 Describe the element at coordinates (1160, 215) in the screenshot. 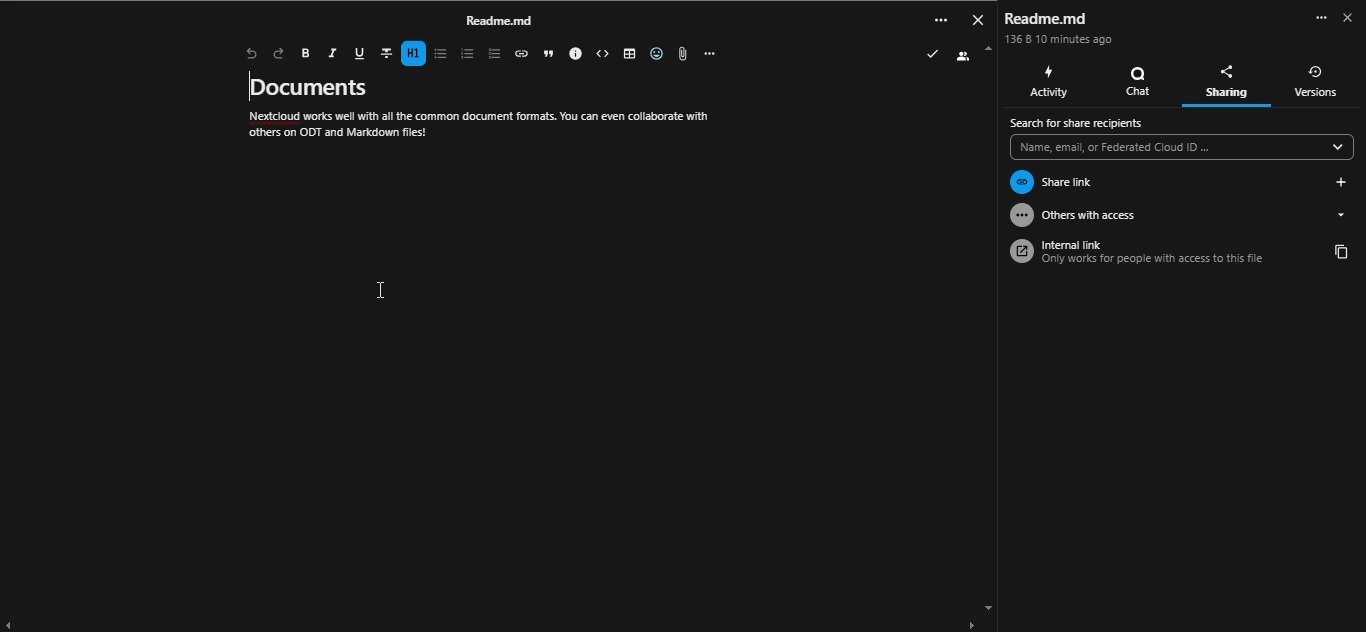

I see `others with access` at that location.